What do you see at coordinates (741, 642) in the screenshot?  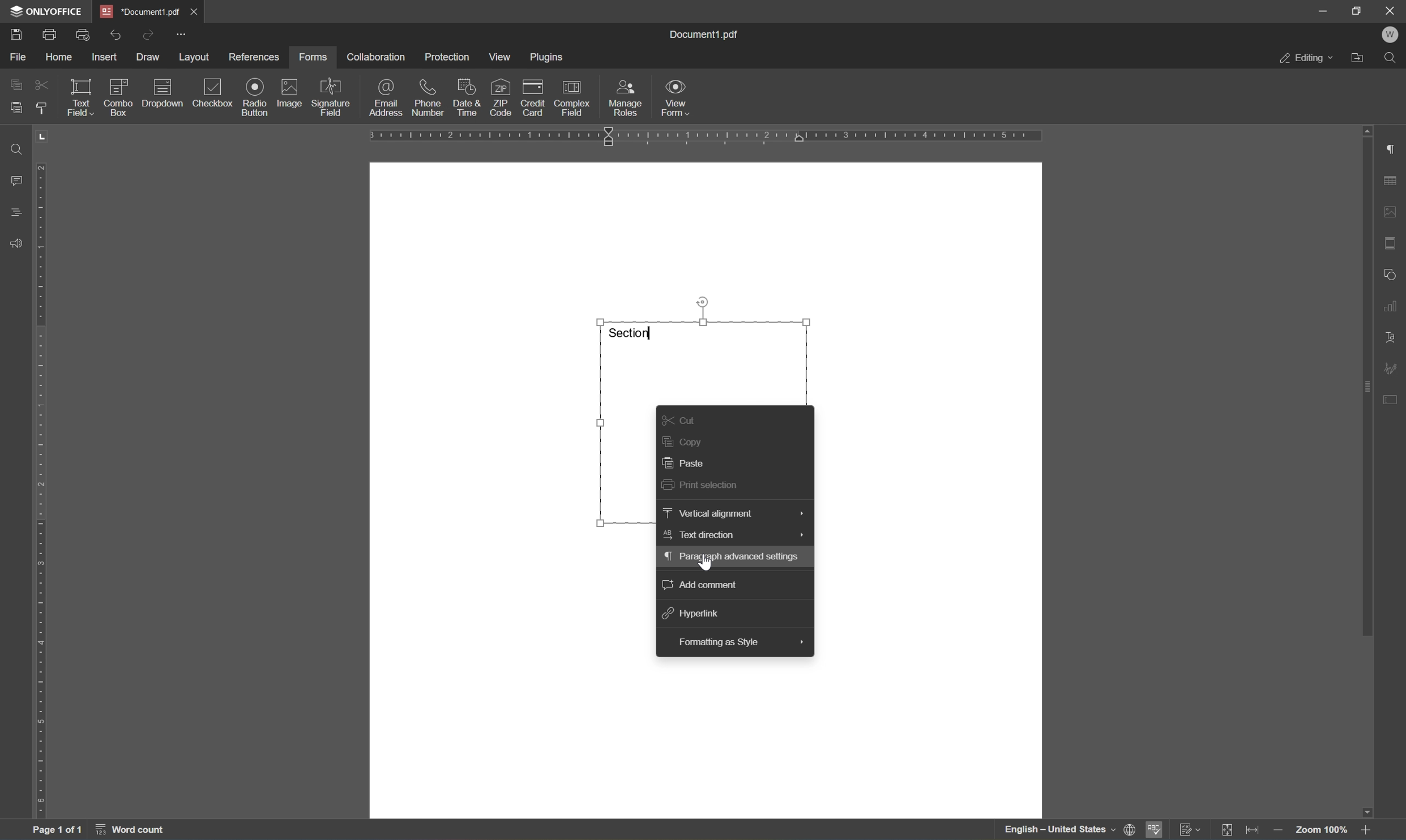 I see `formatting as style` at bounding box center [741, 642].